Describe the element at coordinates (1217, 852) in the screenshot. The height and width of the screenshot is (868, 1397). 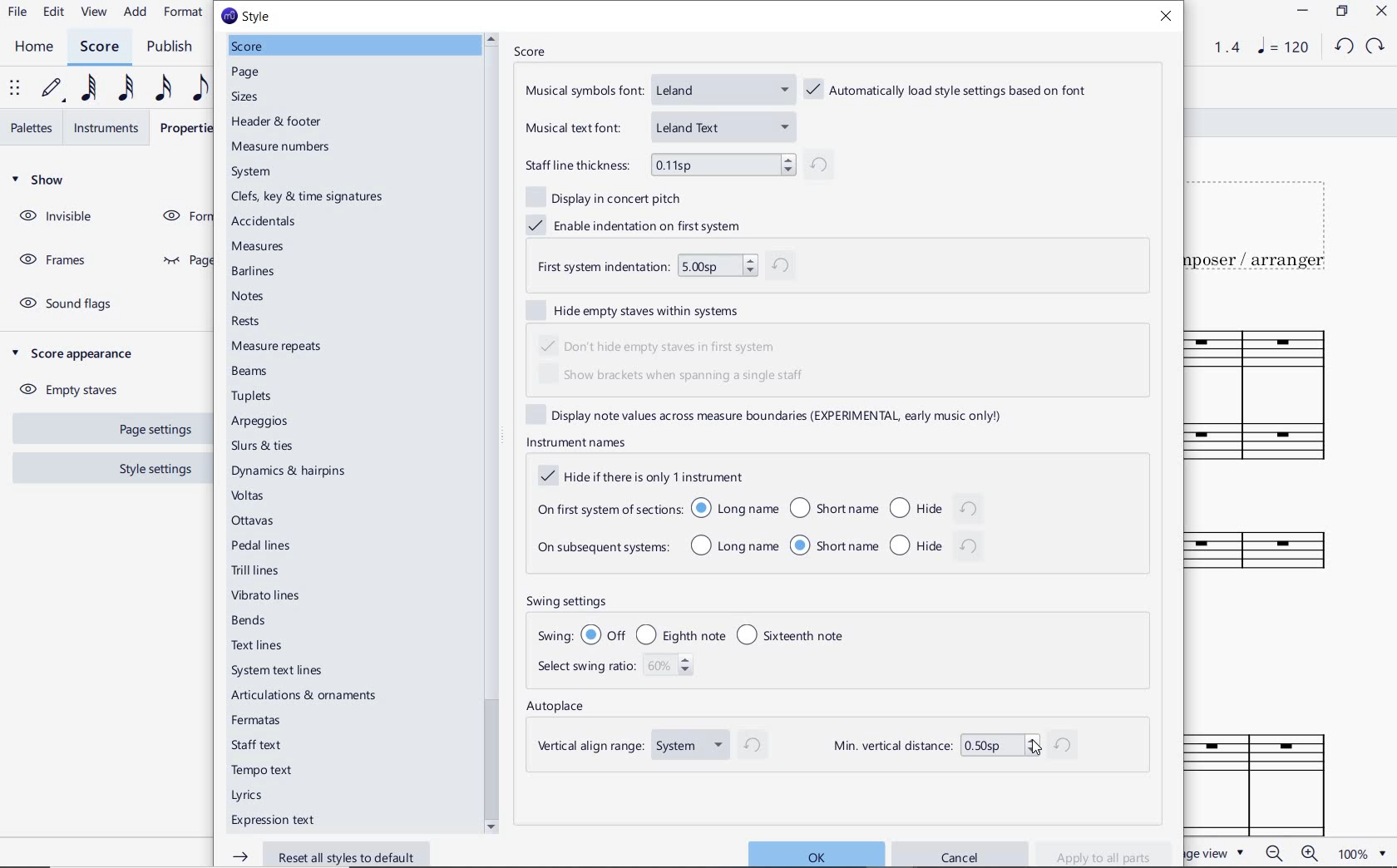
I see `page view` at that location.